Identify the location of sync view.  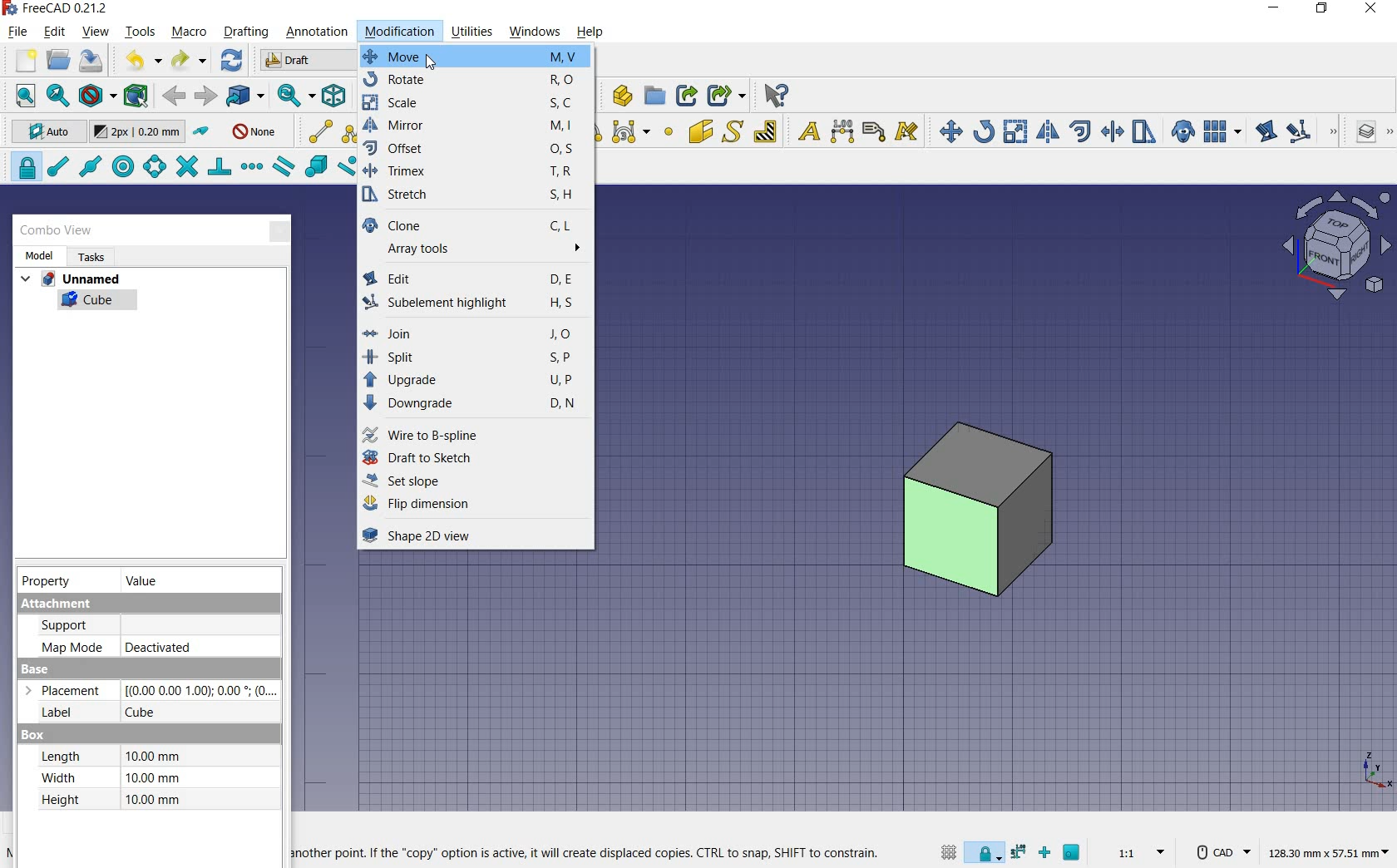
(295, 96).